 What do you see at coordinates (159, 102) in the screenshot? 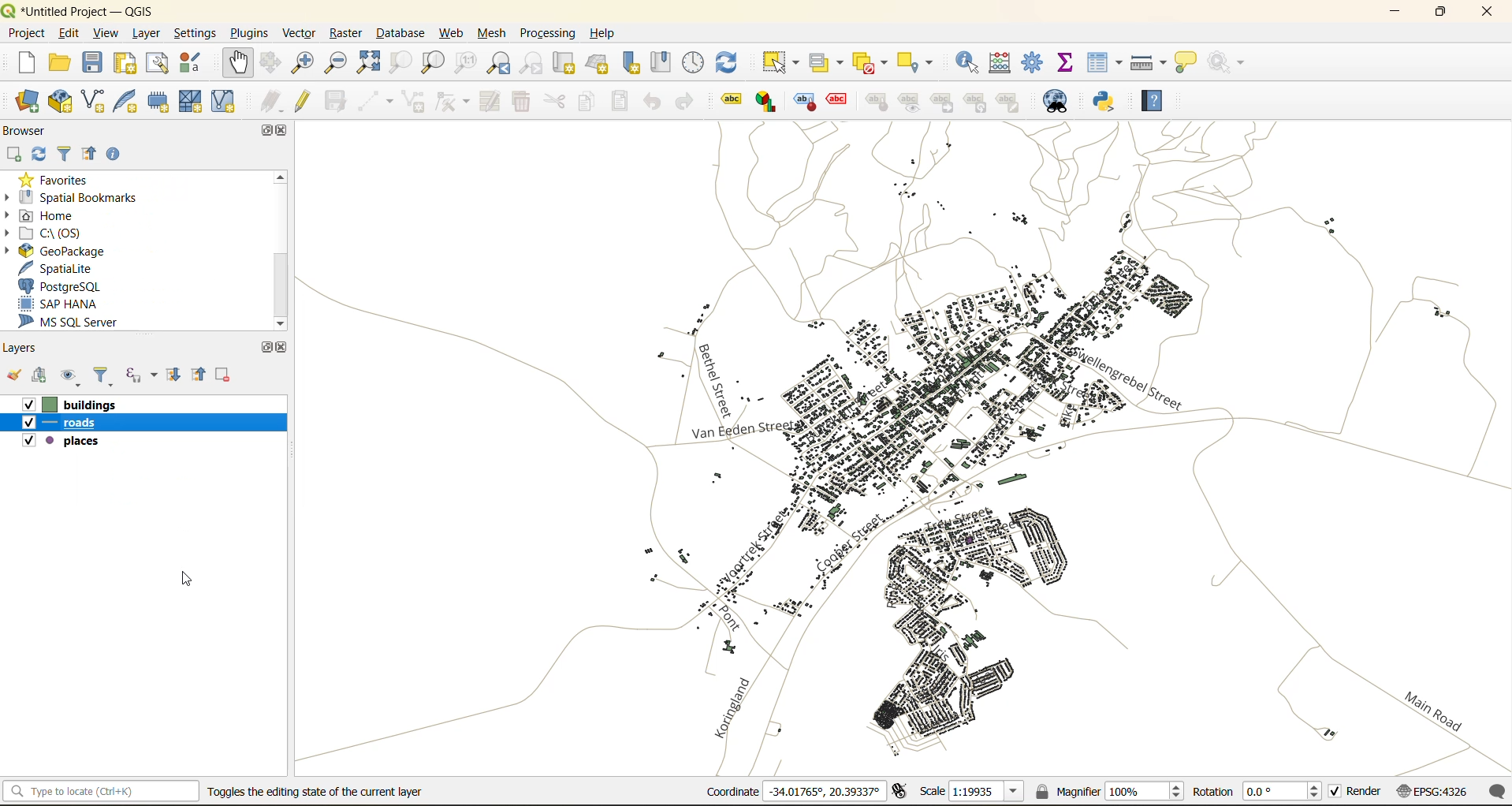
I see `temporary scratch layer` at bounding box center [159, 102].